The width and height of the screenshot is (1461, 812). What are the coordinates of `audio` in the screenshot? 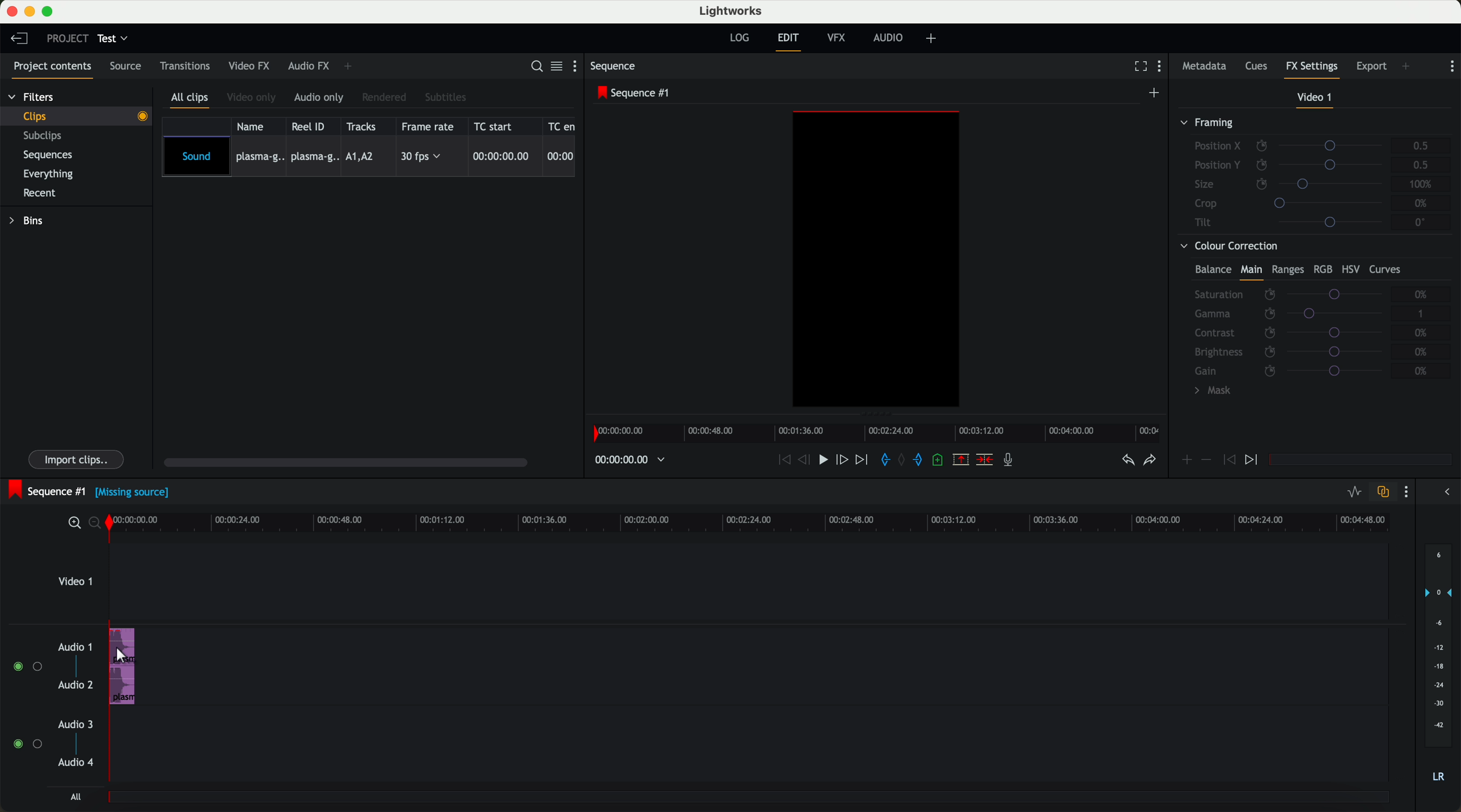 It's located at (125, 668).